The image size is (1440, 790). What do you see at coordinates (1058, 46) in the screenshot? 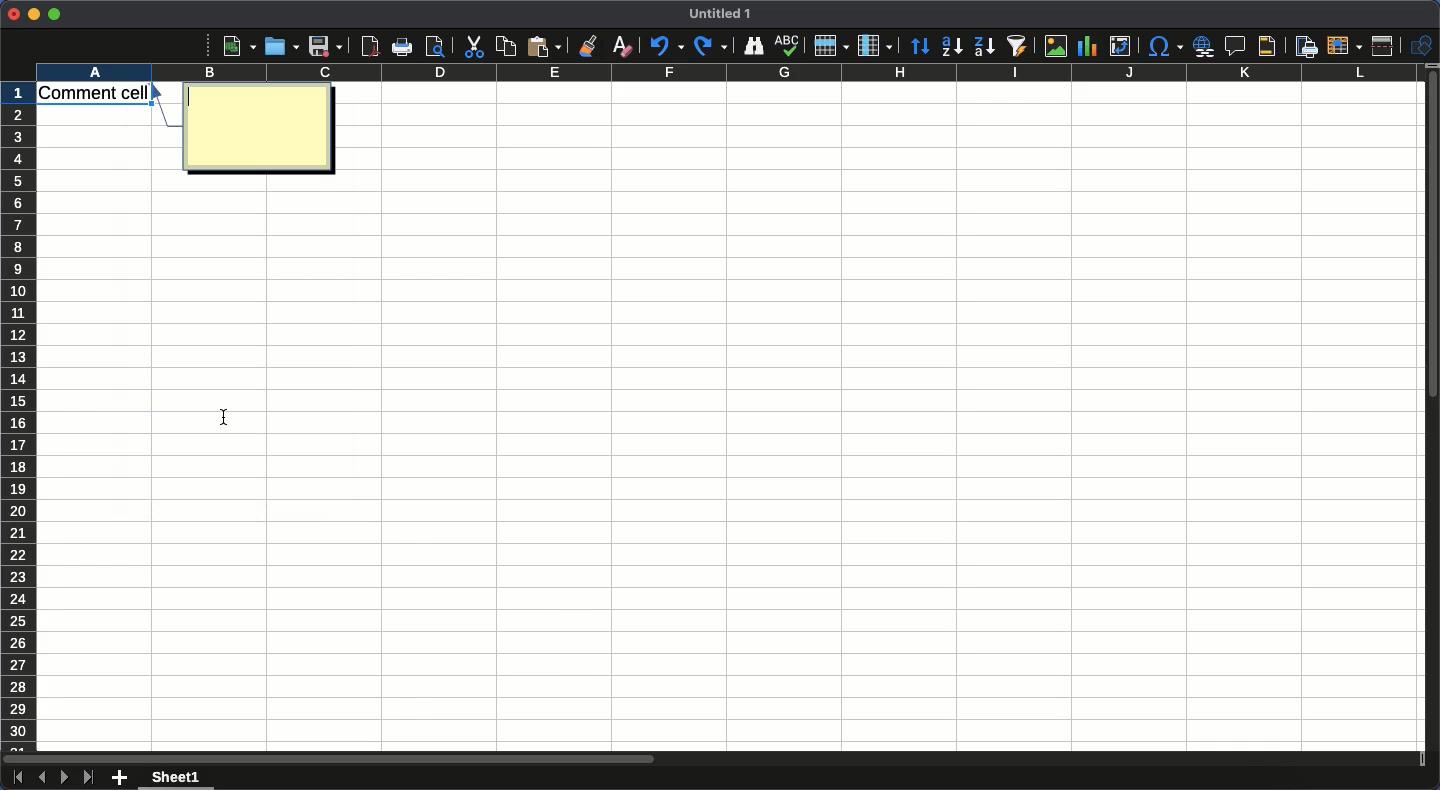
I see `Image` at bounding box center [1058, 46].